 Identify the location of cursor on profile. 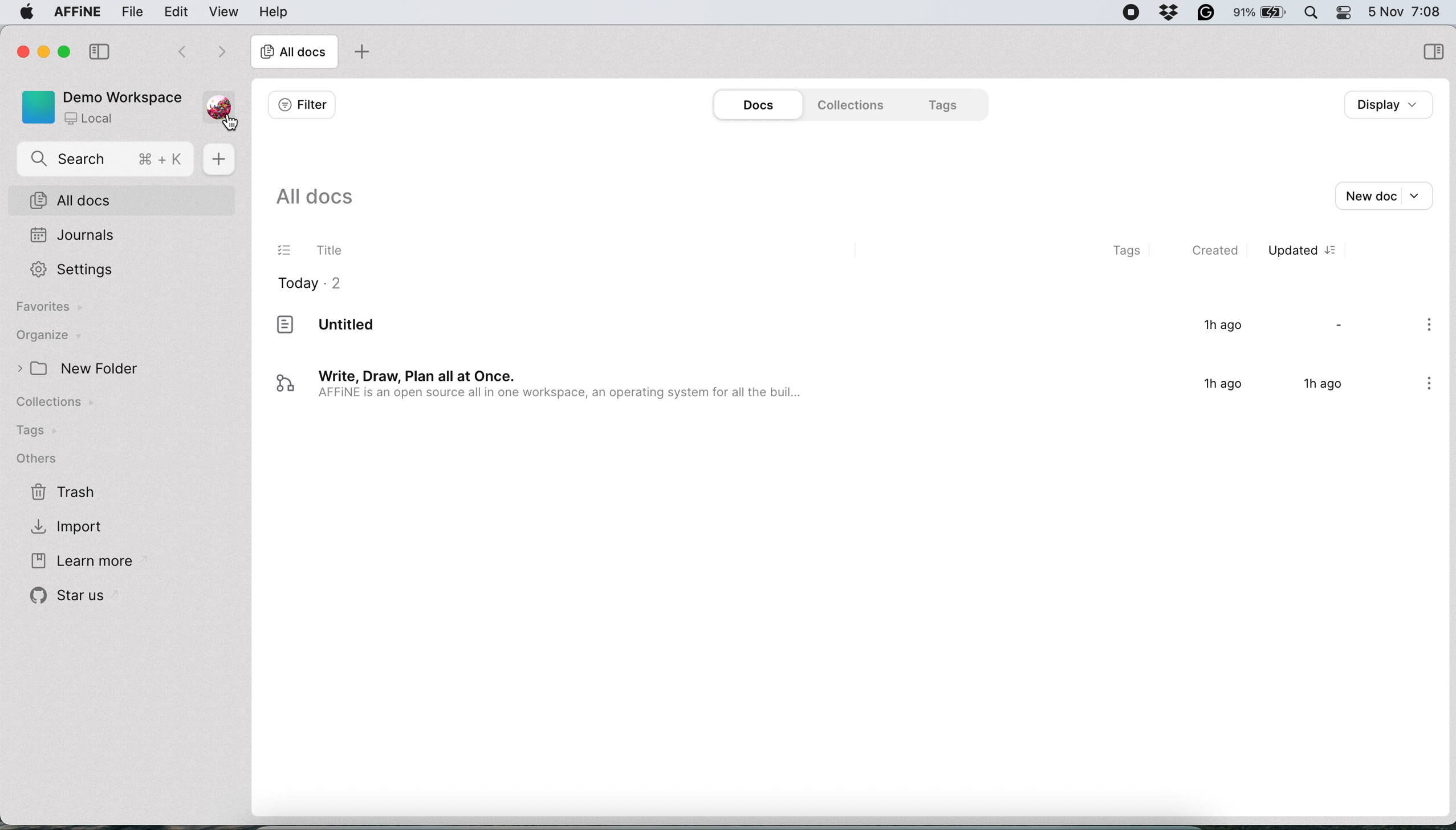
(230, 125).